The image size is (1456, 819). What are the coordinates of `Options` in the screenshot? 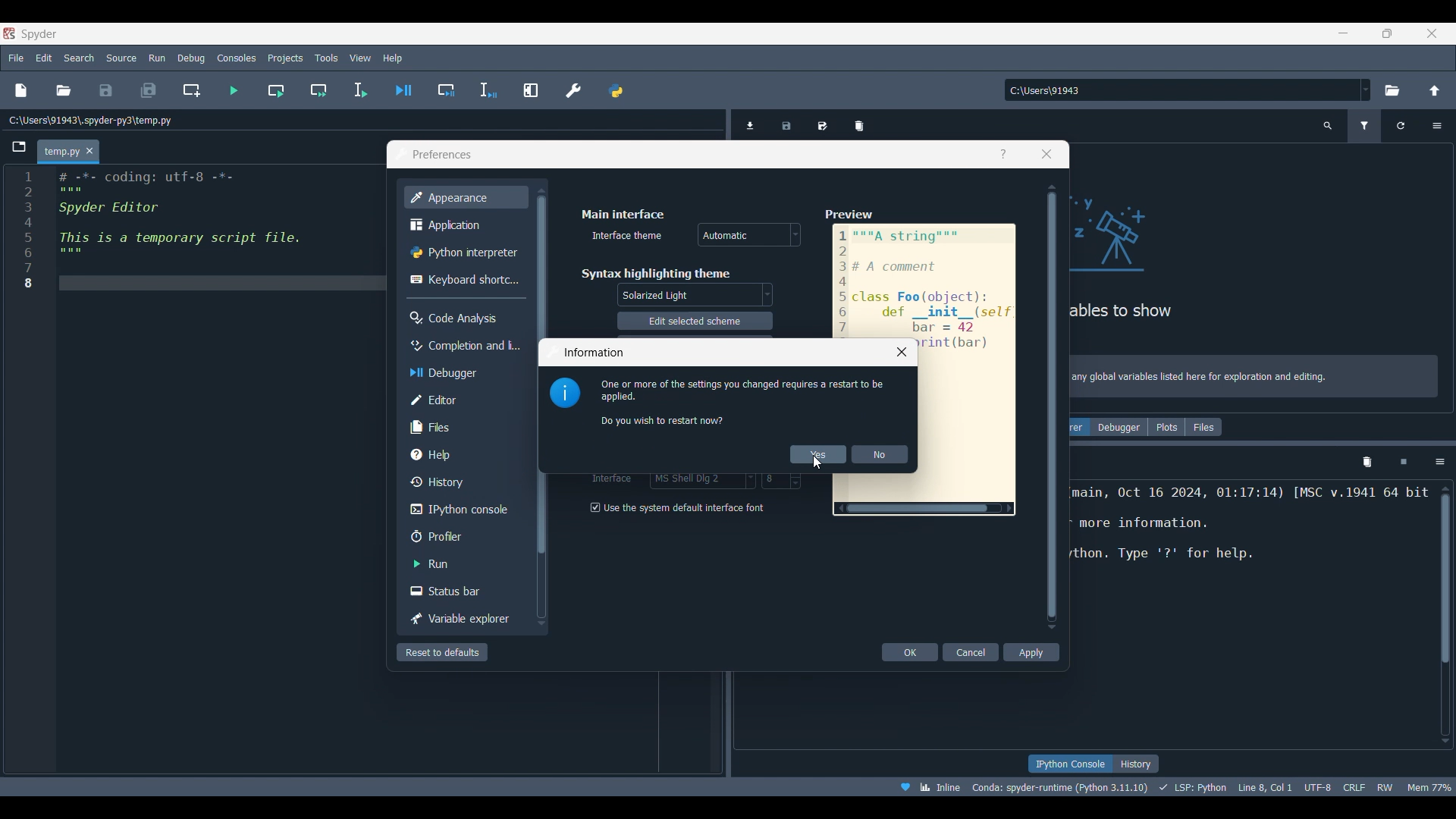 It's located at (1440, 463).